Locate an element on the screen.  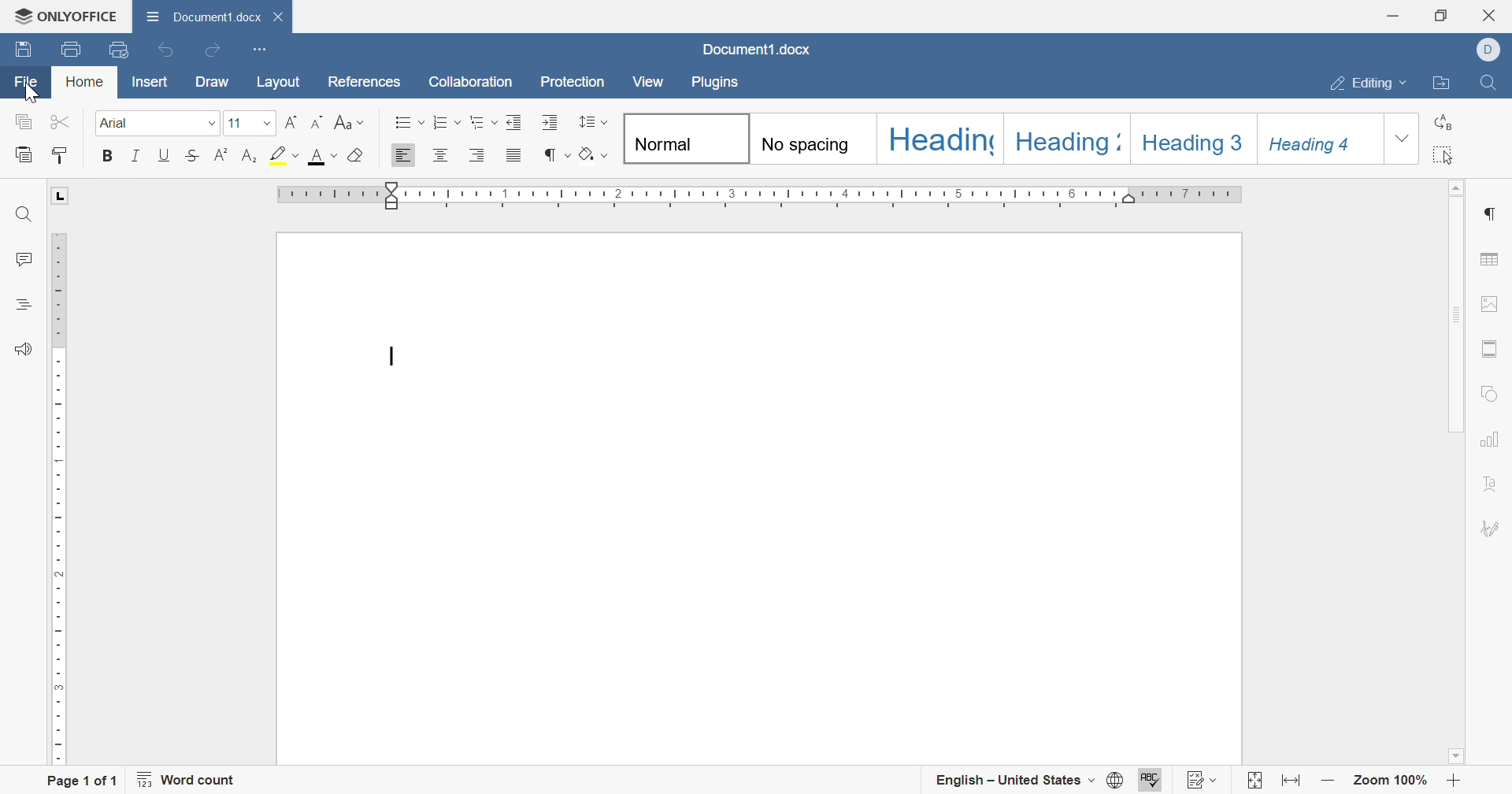
open file location is located at coordinates (1440, 84).